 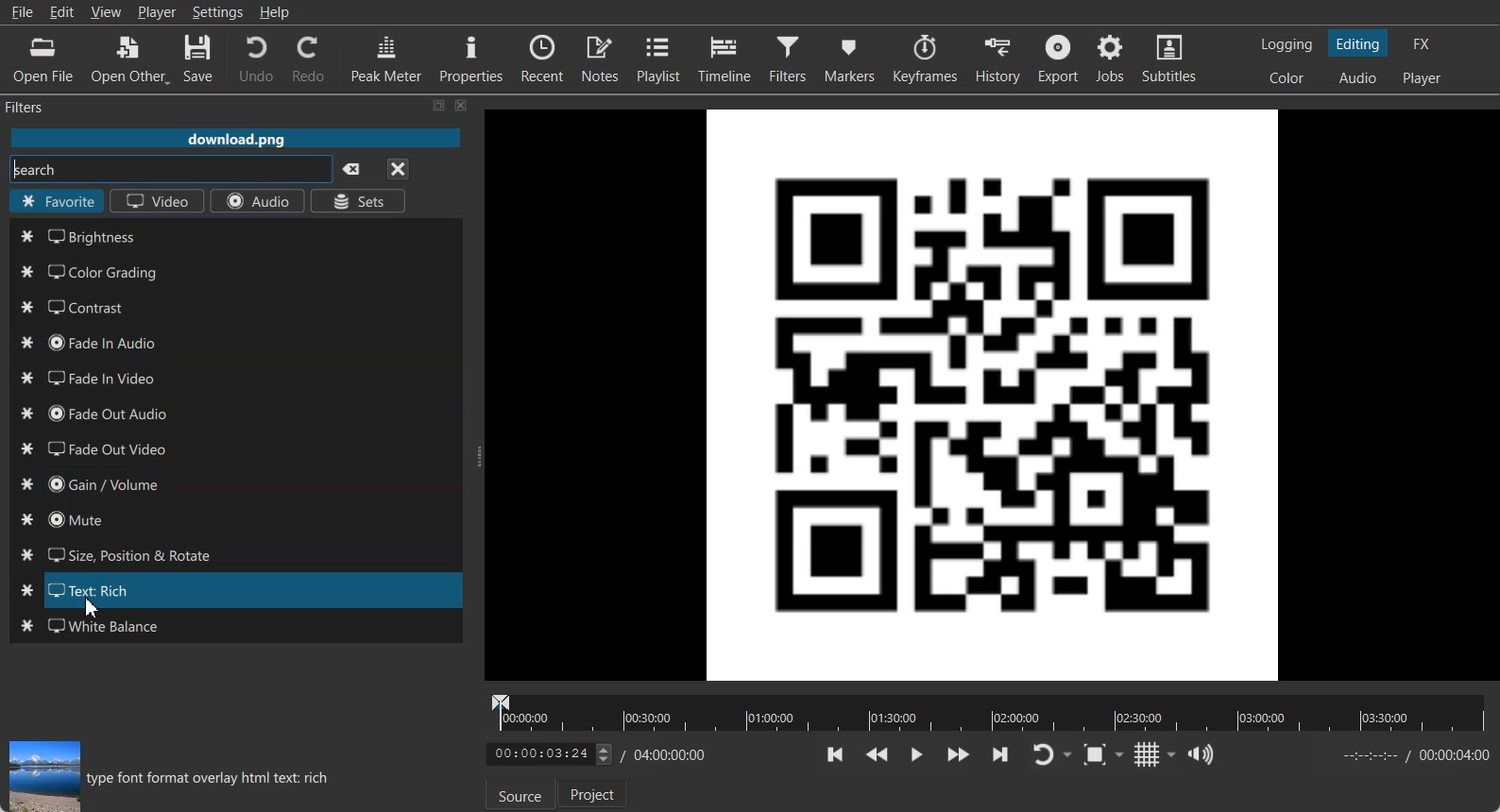 I want to click on Contrast, so click(x=234, y=307).